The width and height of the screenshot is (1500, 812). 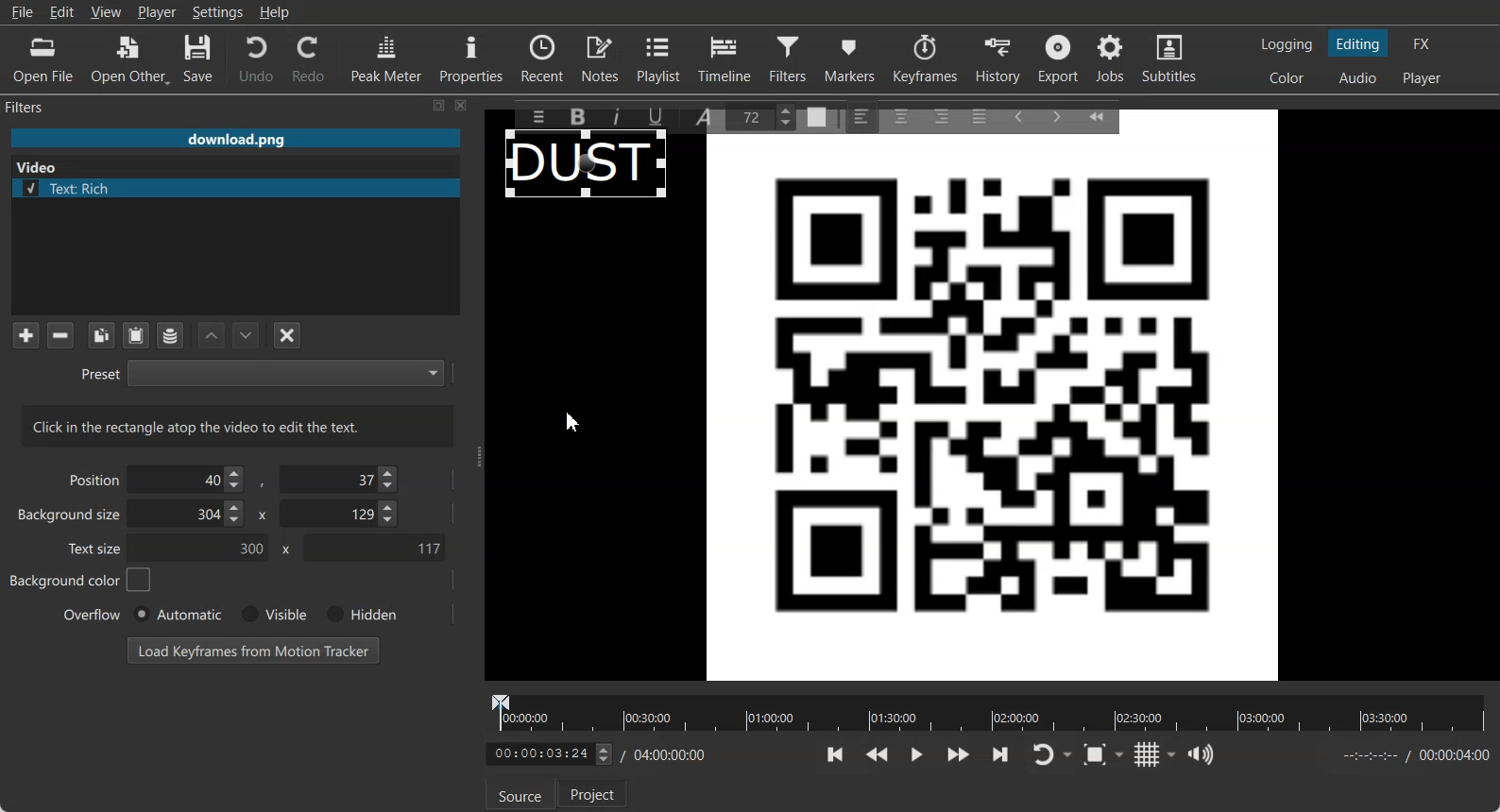 What do you see at coordinates (851, 58) in the screenshot?
I see `Markers` at bounding box center [851, 58].